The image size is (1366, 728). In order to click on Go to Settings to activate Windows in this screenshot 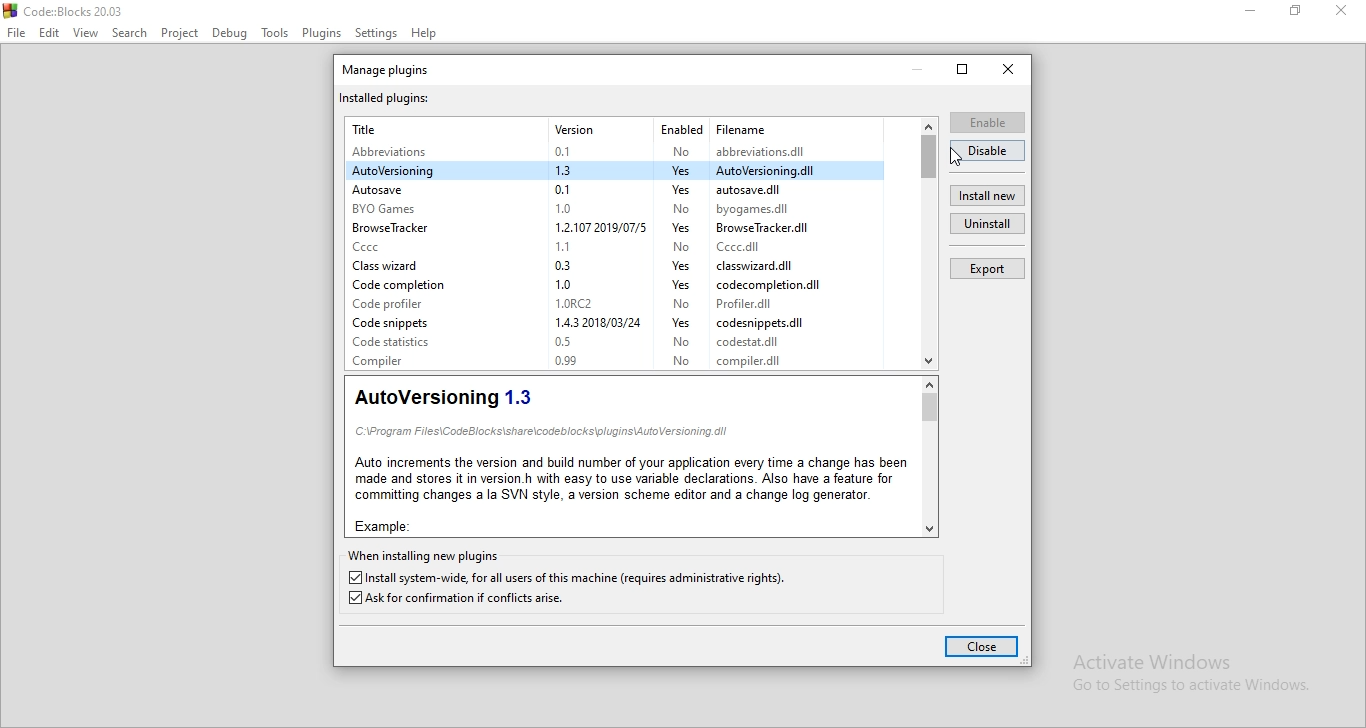, I will do `click(1182, 686)`.